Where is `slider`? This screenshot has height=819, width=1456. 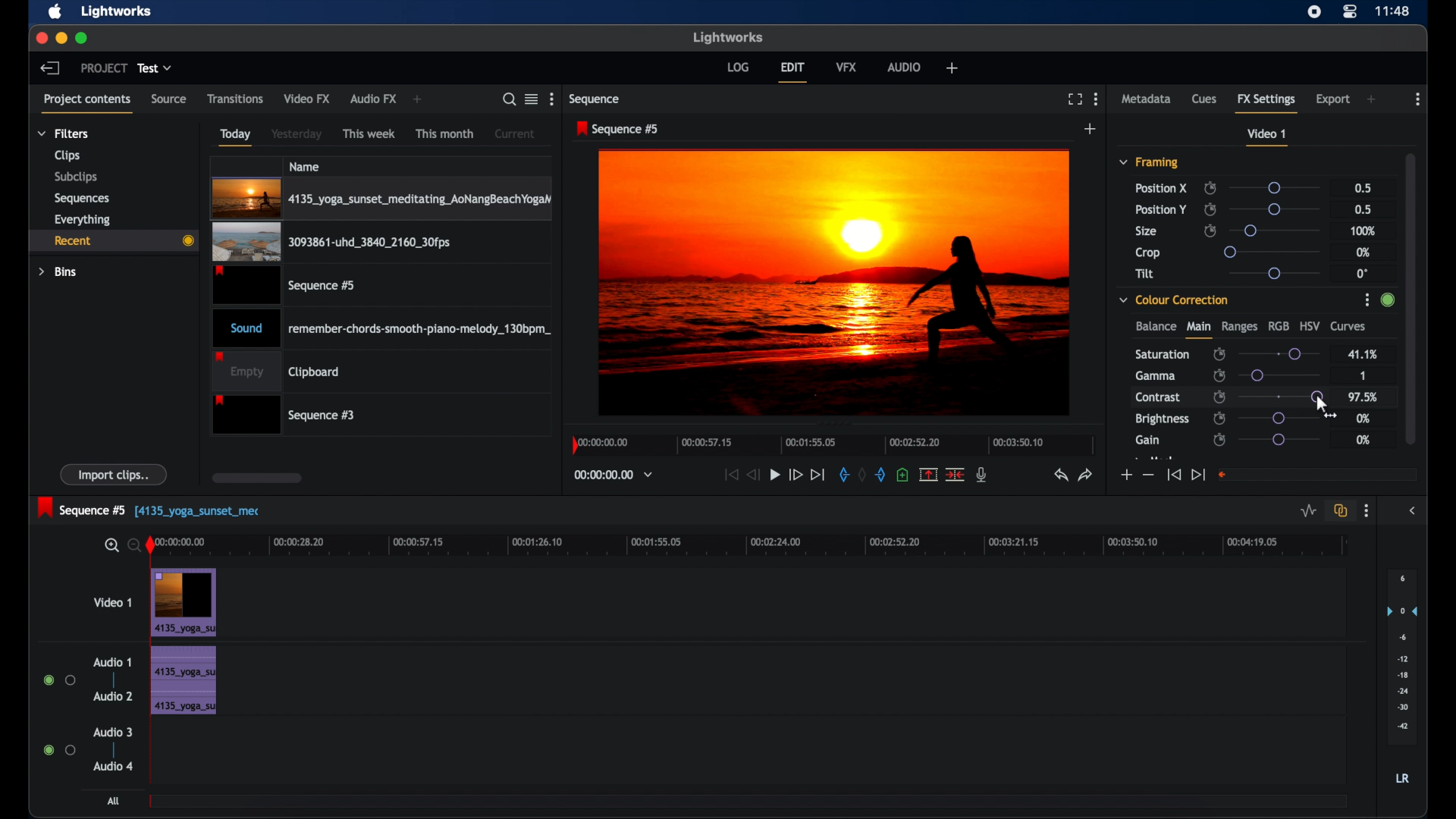 slider is located at coordinates (1274, 273).